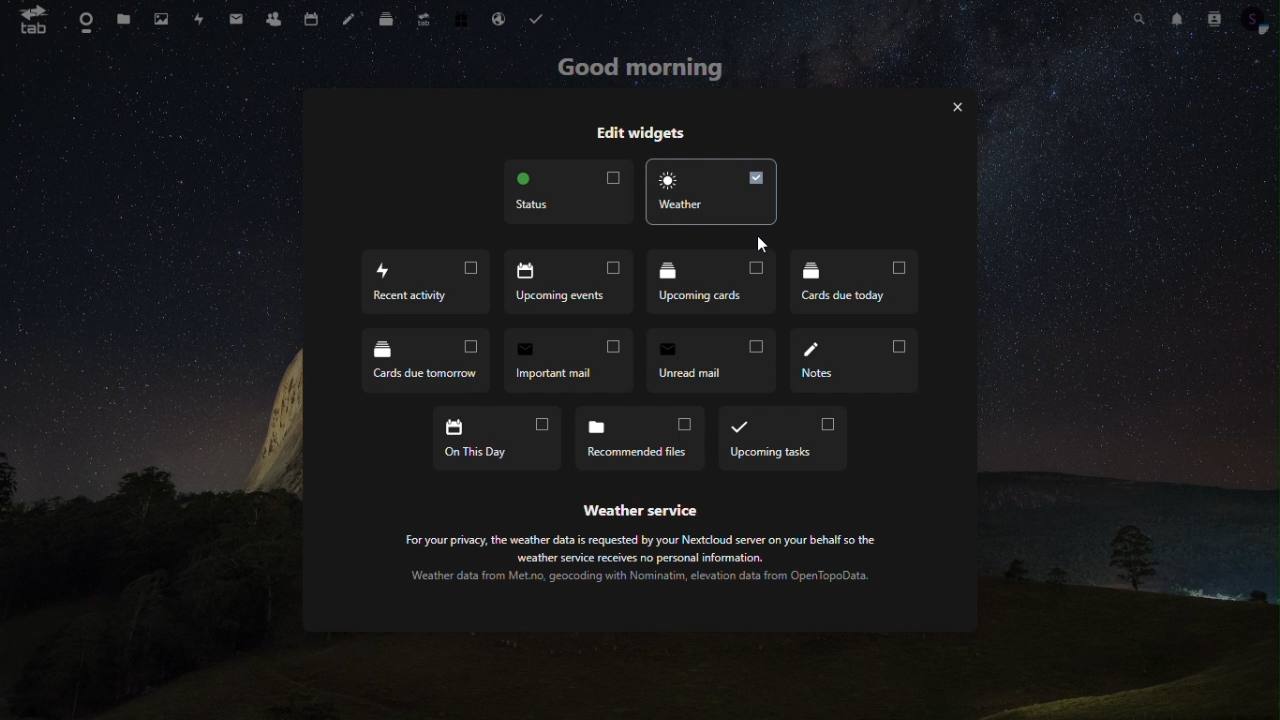 This screenshot has width=1280, height=720. What do you see at coordinates (428, 21) in the screenshot?
I see `upgrade` at bounding box center [428, 21].